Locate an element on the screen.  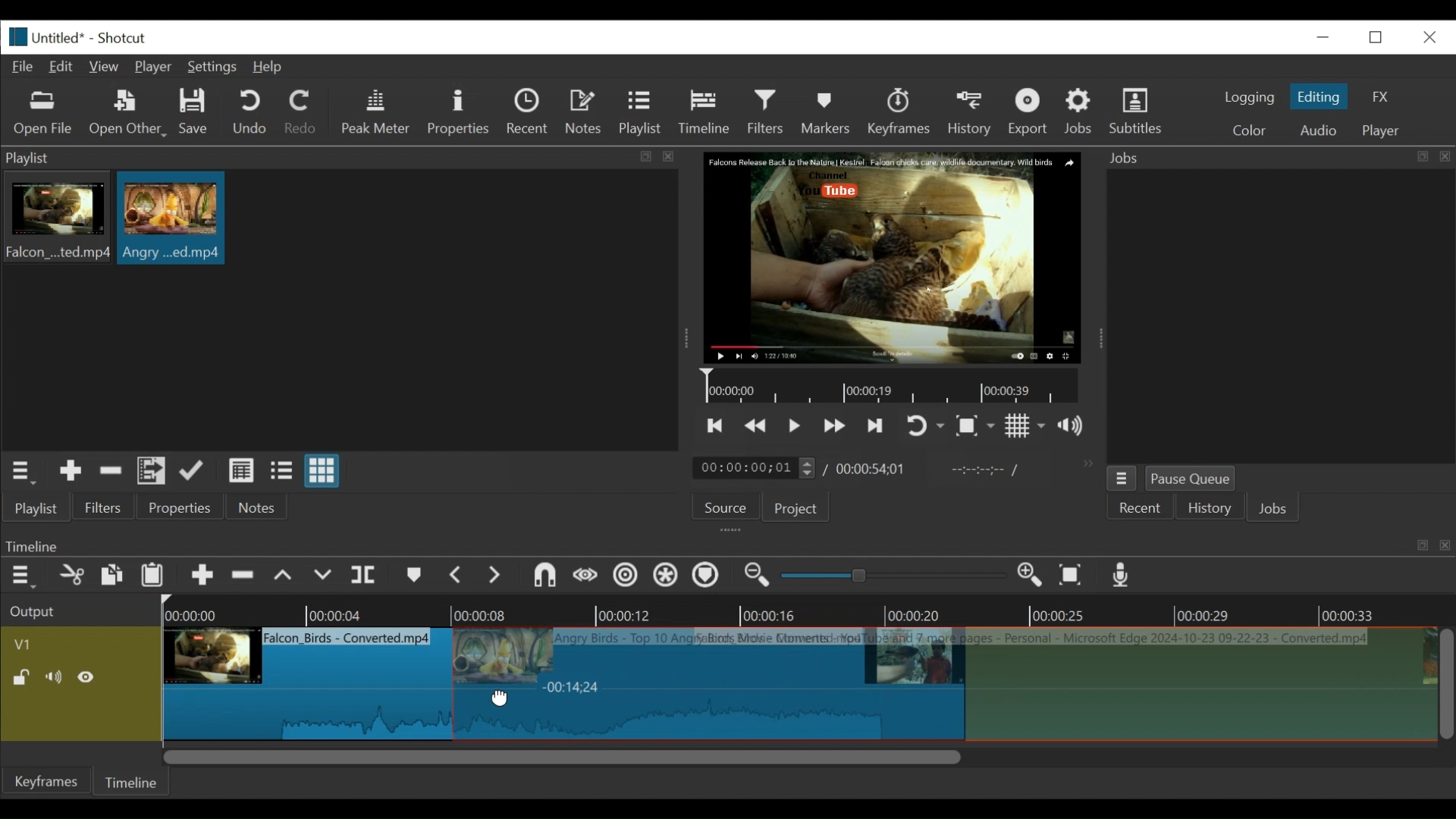
clip is located at coordinates (305, 679).